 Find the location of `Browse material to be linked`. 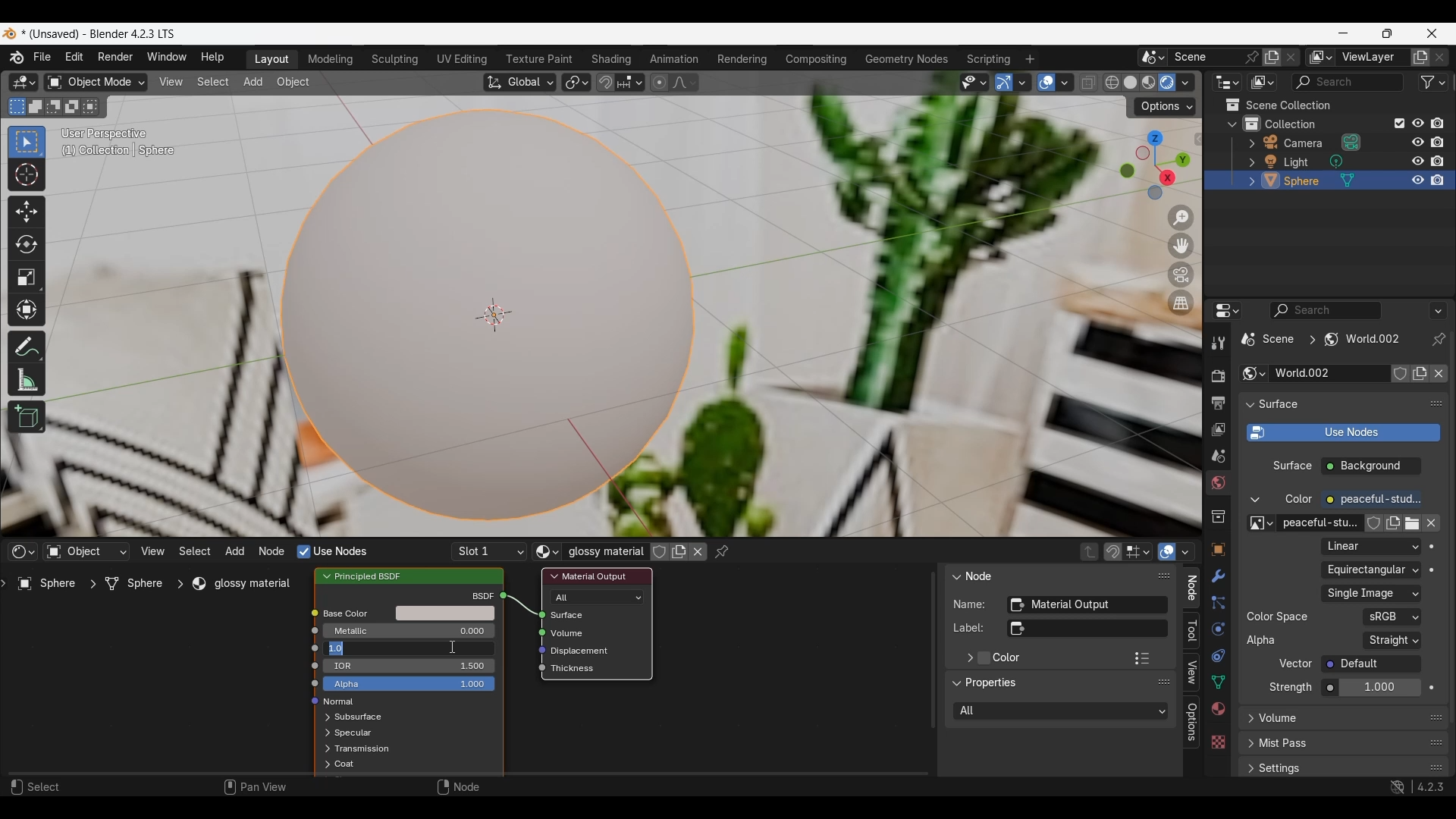

Browse material to be linked is located at coordinates (548, 552).